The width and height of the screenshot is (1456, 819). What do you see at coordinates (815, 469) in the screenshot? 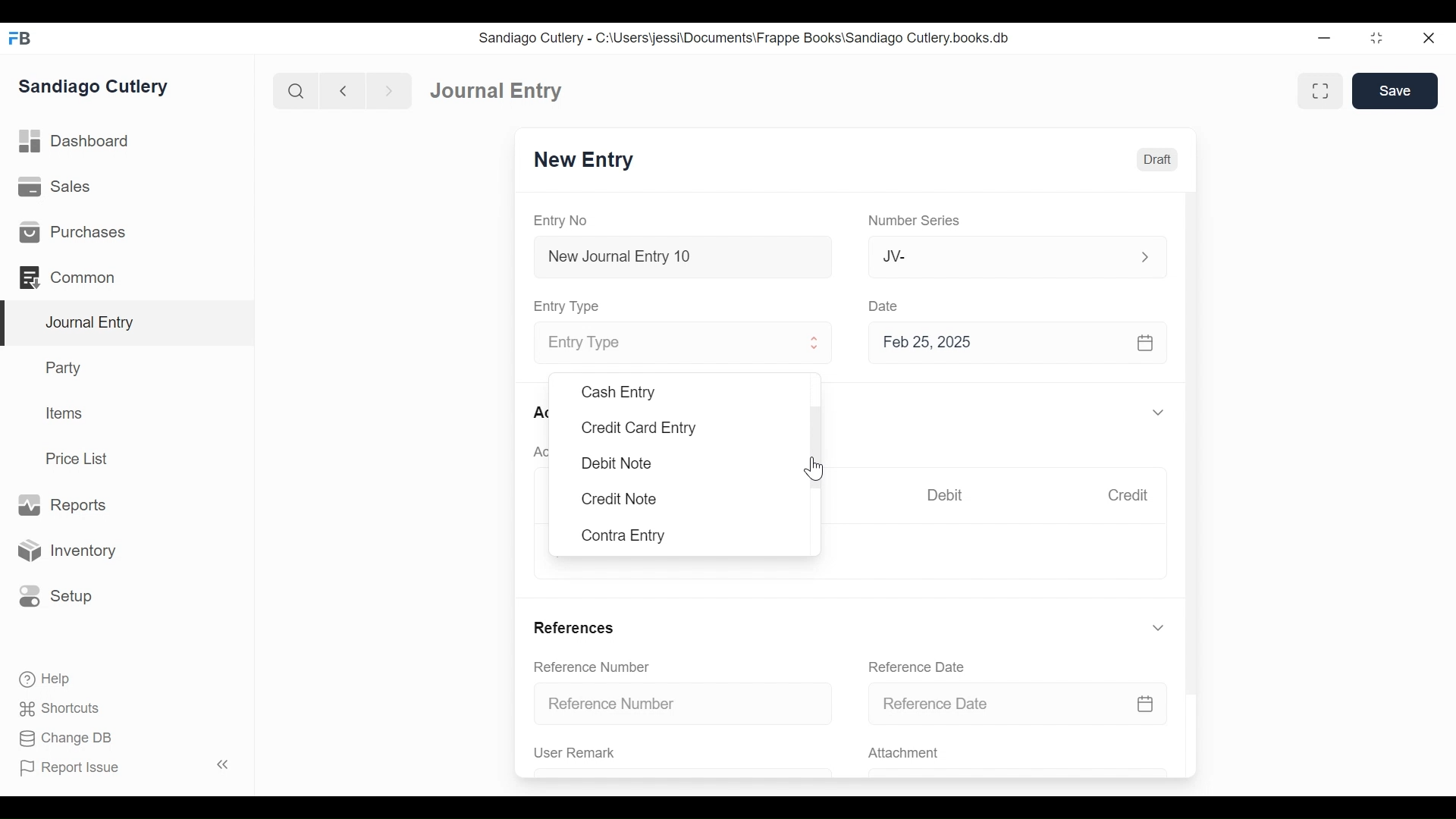
I see `Cursor` at bounding box center [815, 469].